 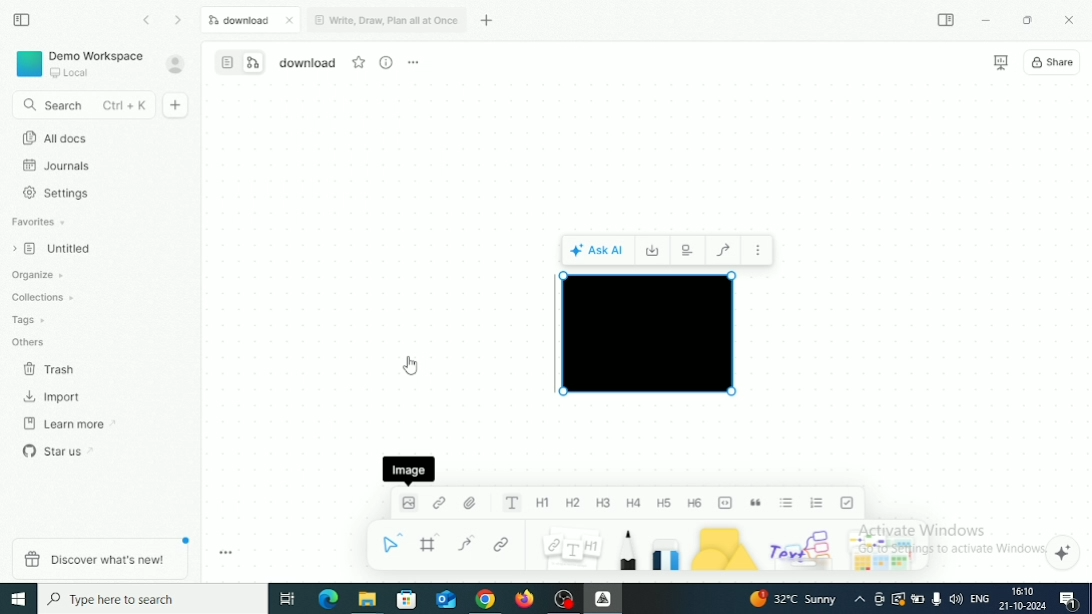 I want to click on OBS Studio, so click(x=564, y=600).